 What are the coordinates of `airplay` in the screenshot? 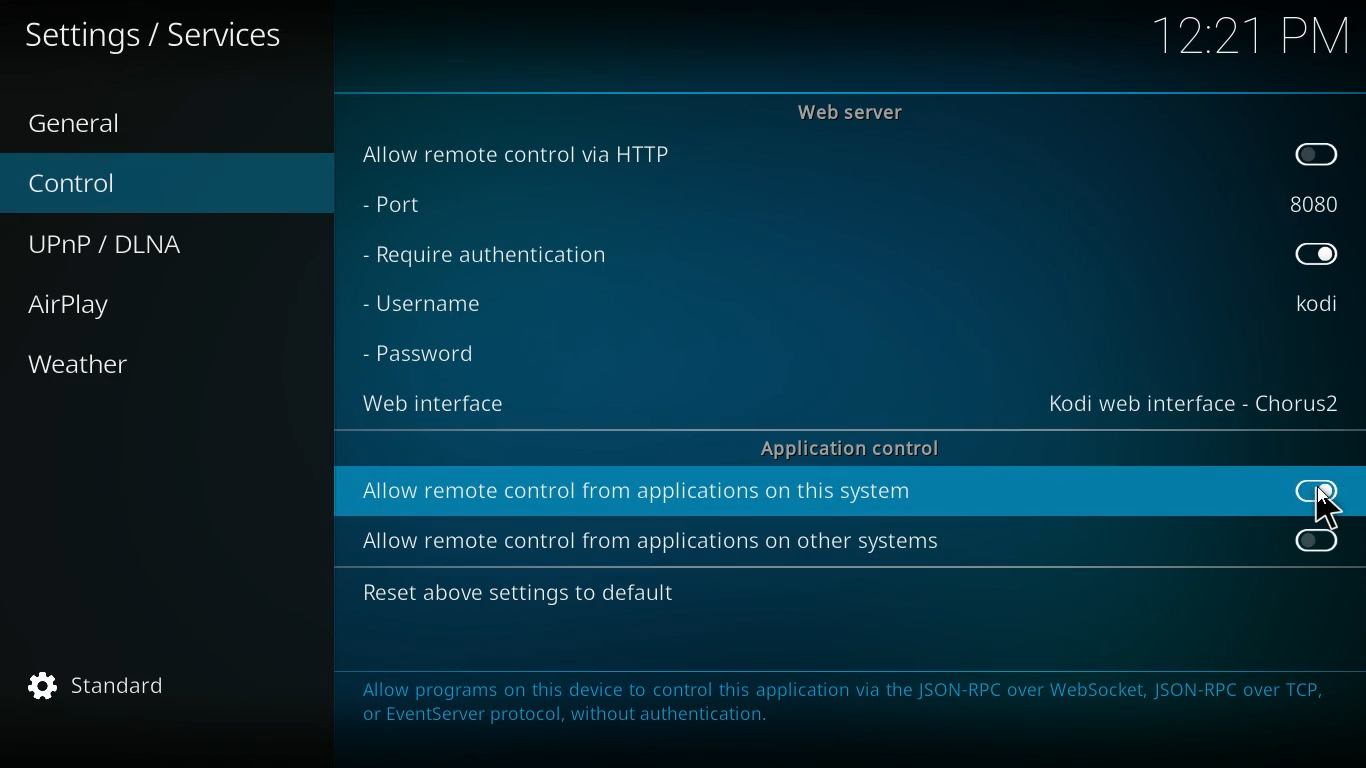 It's located at (169, 310).